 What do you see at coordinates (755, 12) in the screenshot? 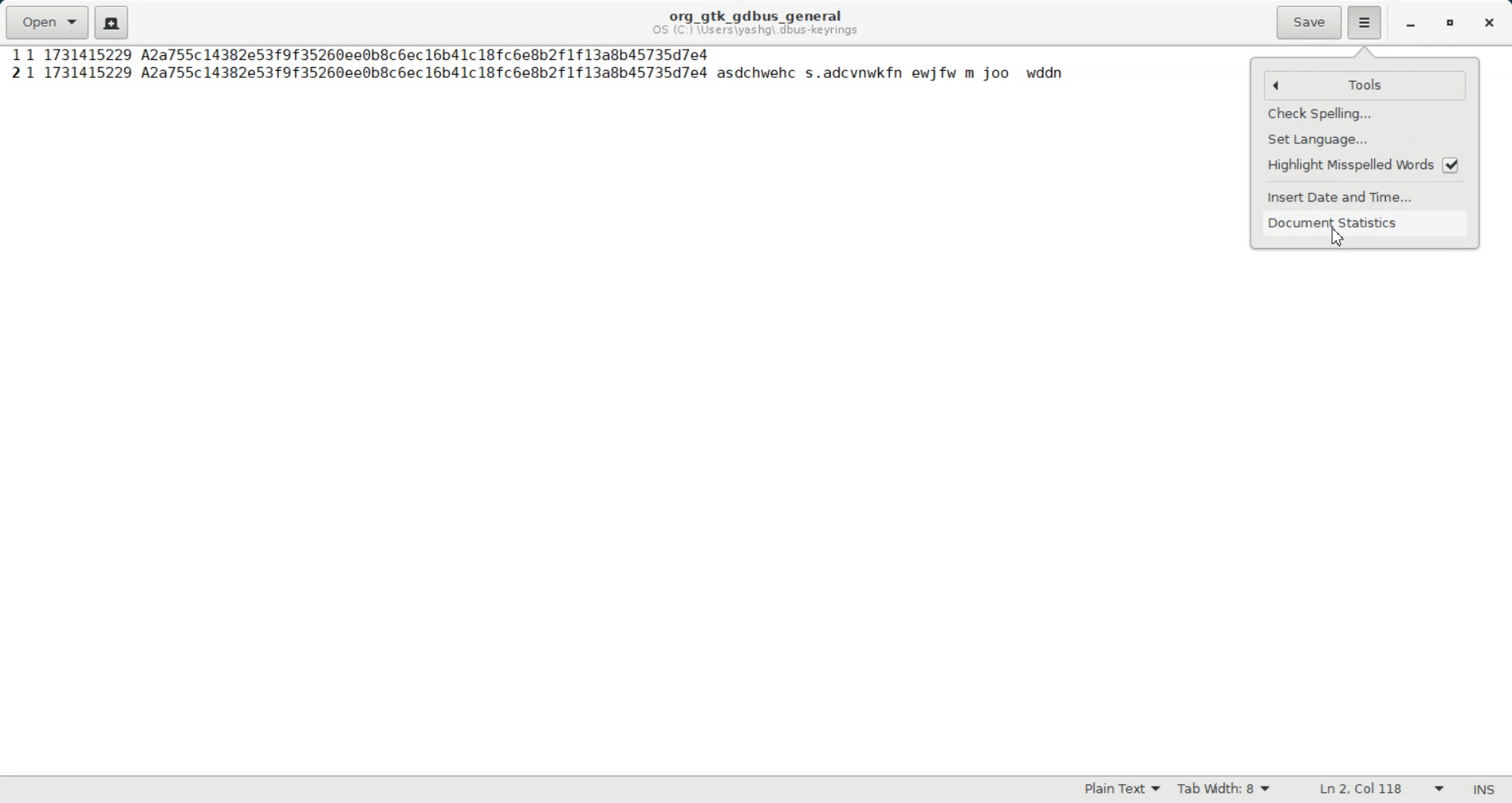
I see ` org_gtk_gdbus_general` at bounding box center [755, 12].